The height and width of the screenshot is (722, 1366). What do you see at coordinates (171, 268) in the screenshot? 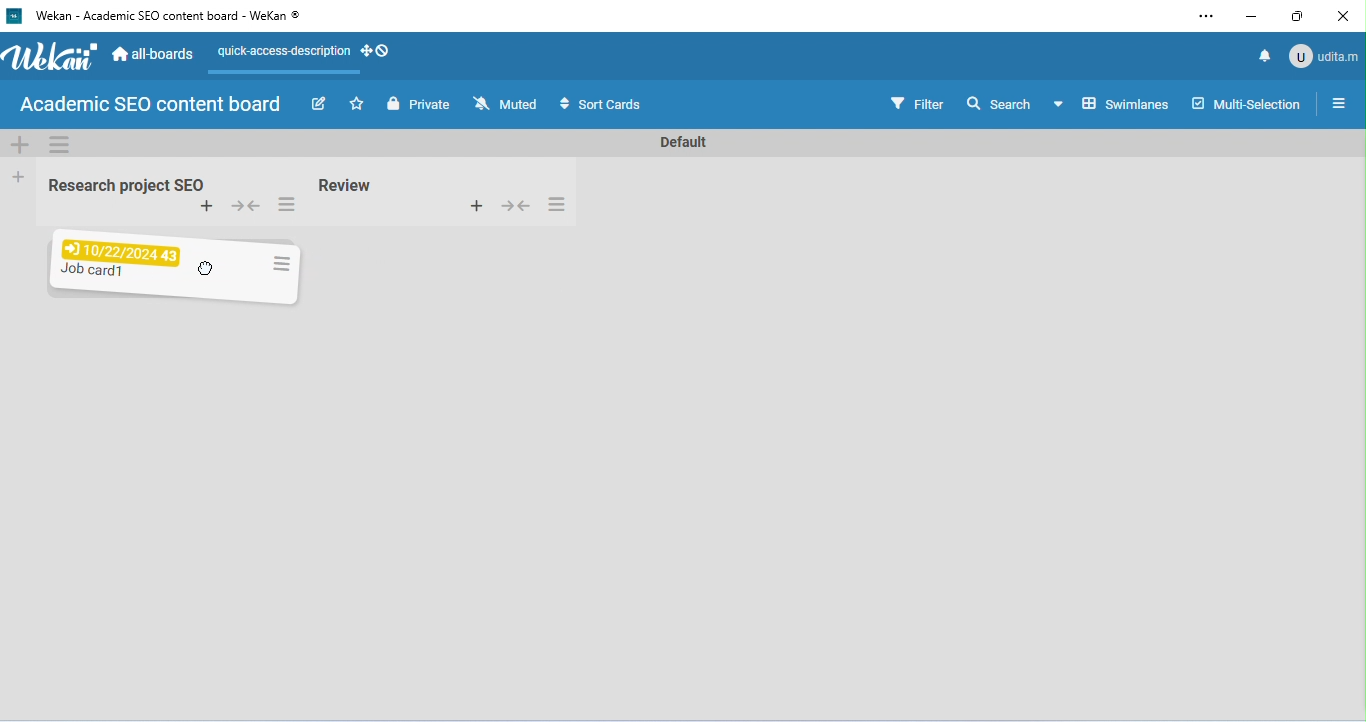
I see `dragging to another list` at bounding box center [171, 268].